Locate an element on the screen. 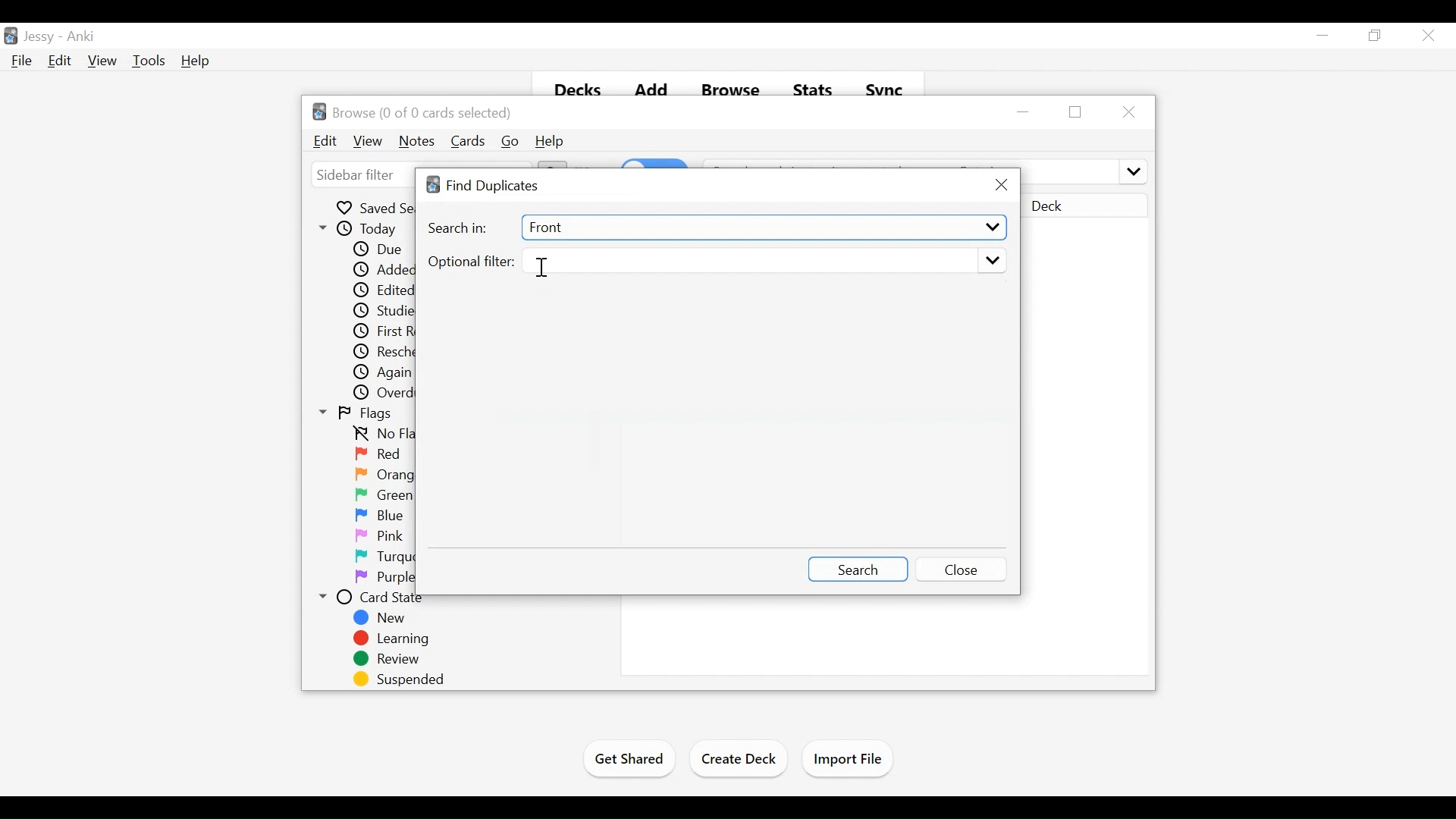 The width and height of the screenshot is (1456, 819). Decks is located at coordinates (573, 86).